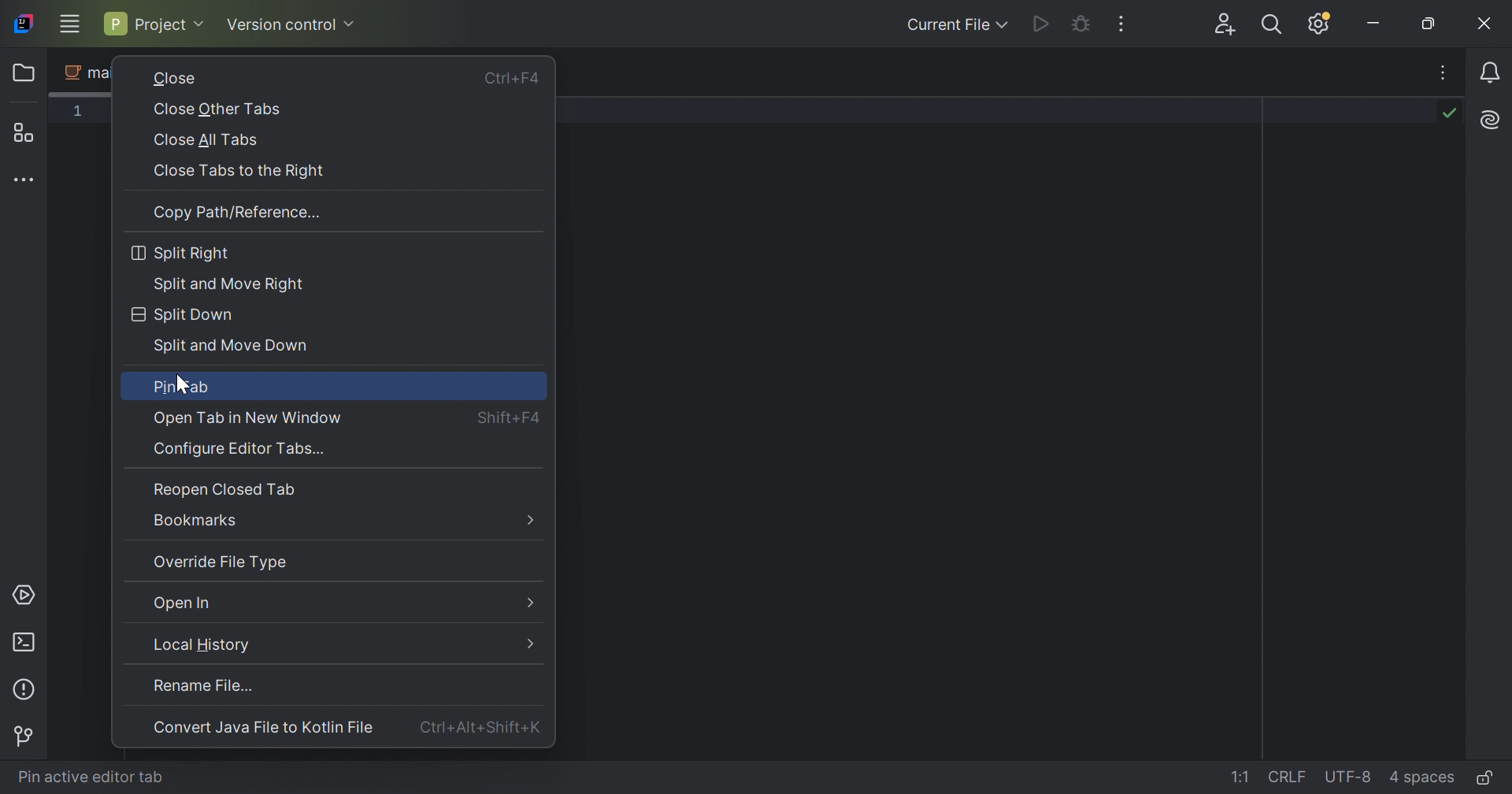 This screenshot has height=794, width=1512. What do you see at coordinates (1429, 24) in the screenshot?
I see `Restore down` at bounding box center [1429, 24].